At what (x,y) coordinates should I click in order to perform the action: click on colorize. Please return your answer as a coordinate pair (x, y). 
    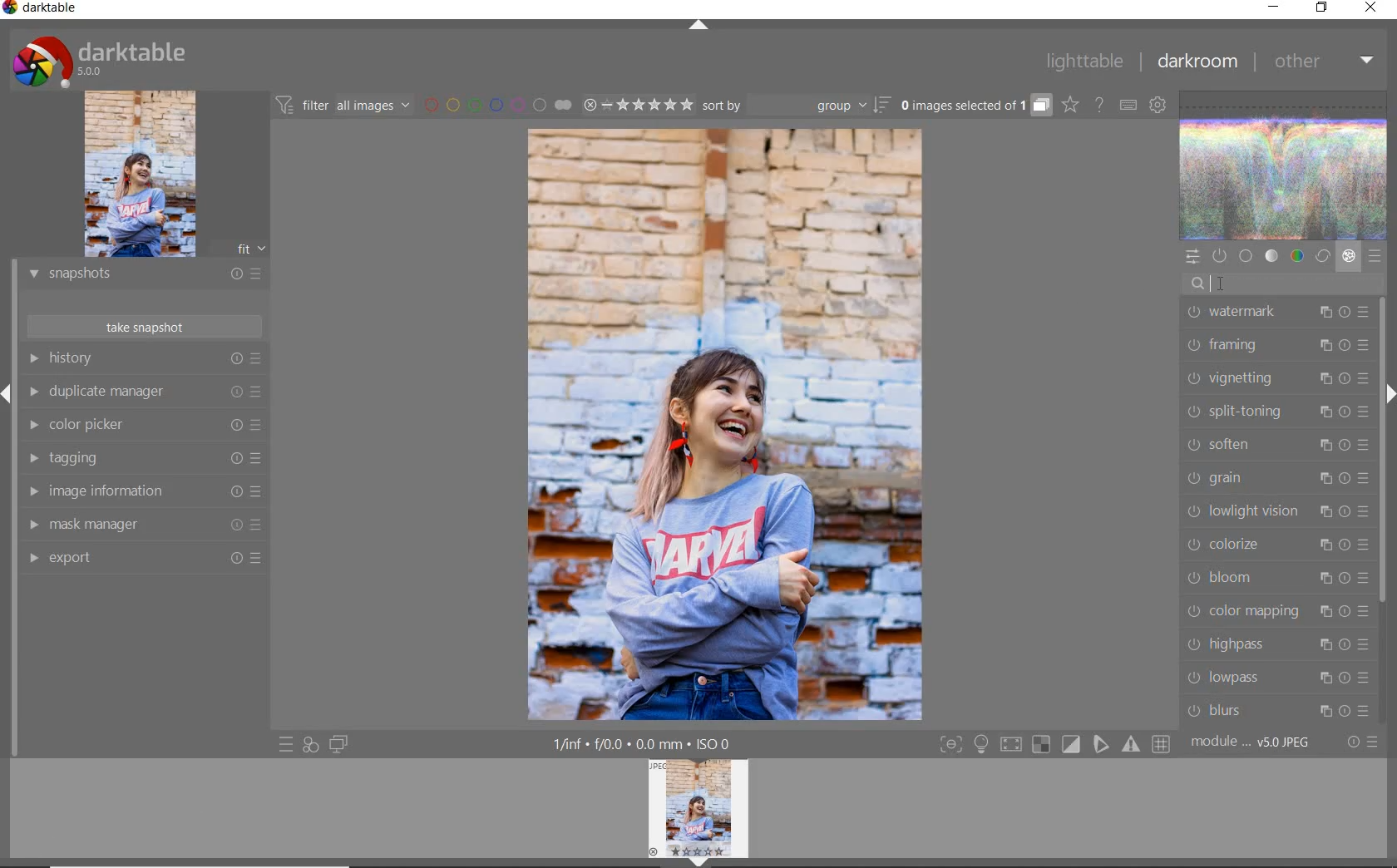
    Looking at the image, I should click on (1278, 545).